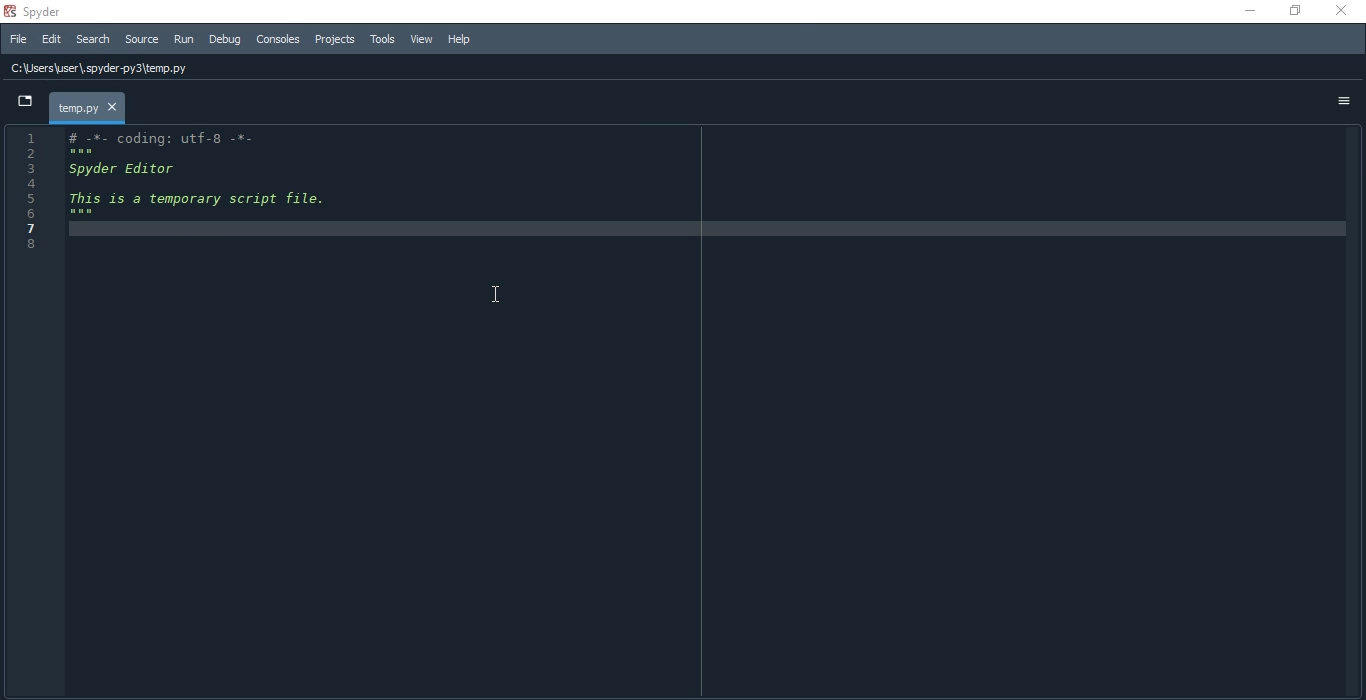 This screenshot has height=700, width=1366. Describe the element at coordinates (1295, 12) in the screenshot. I see `restore` at that location.